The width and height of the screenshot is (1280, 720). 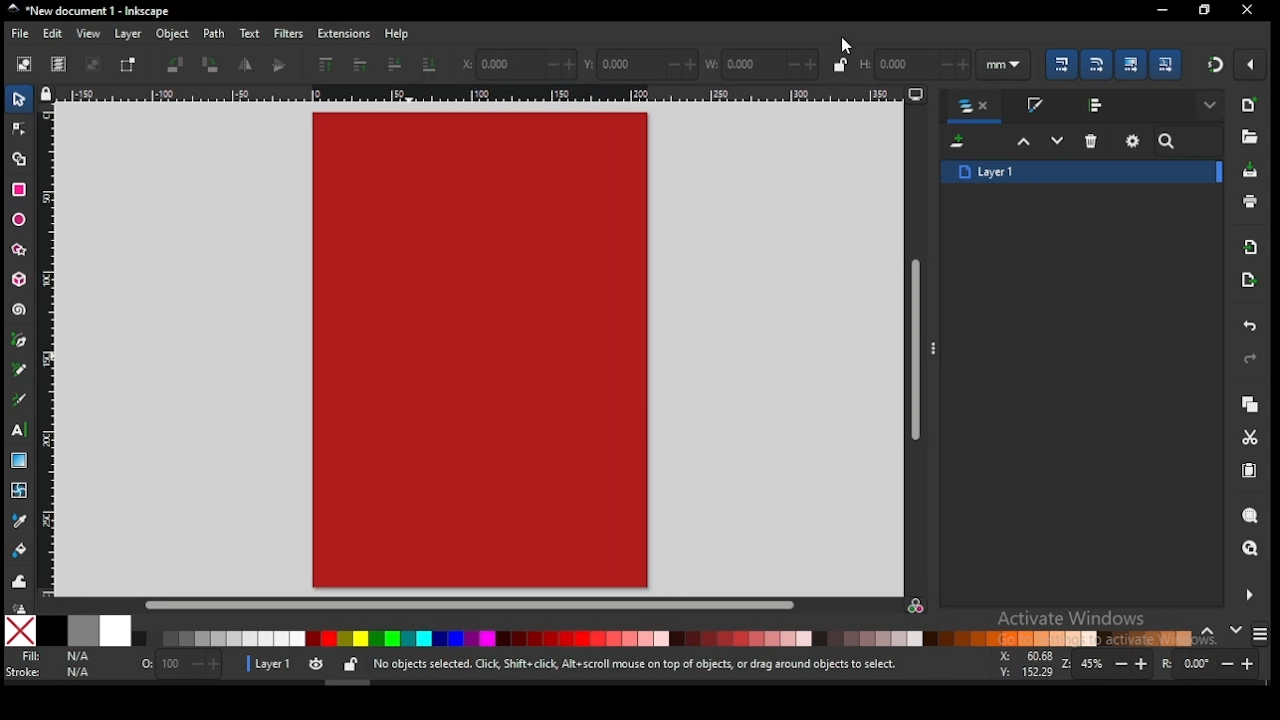 I want to click on new layer, so click(x=960, y=143).